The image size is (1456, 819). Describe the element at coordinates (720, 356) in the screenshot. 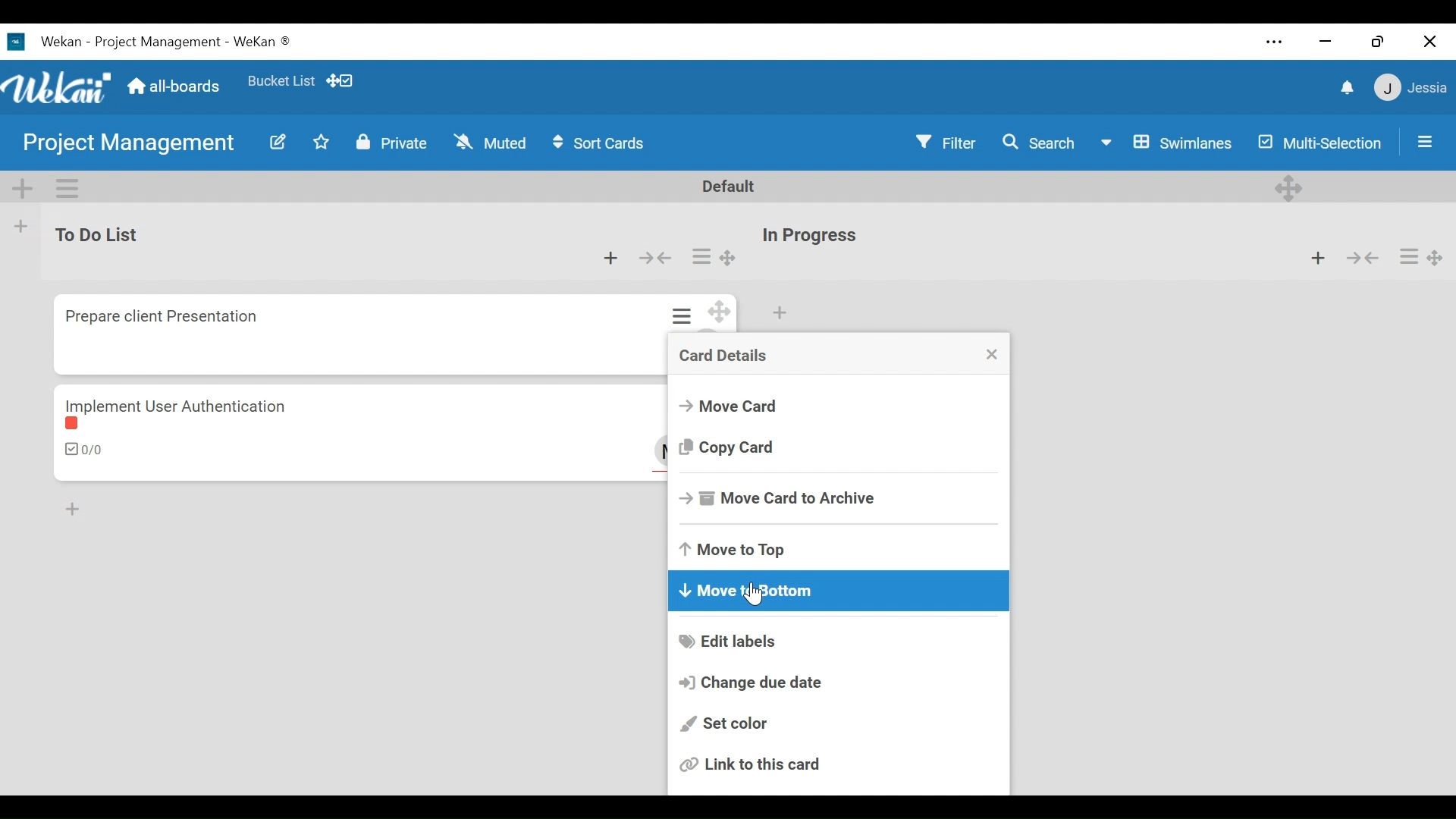

I see `Card Details` at that location.